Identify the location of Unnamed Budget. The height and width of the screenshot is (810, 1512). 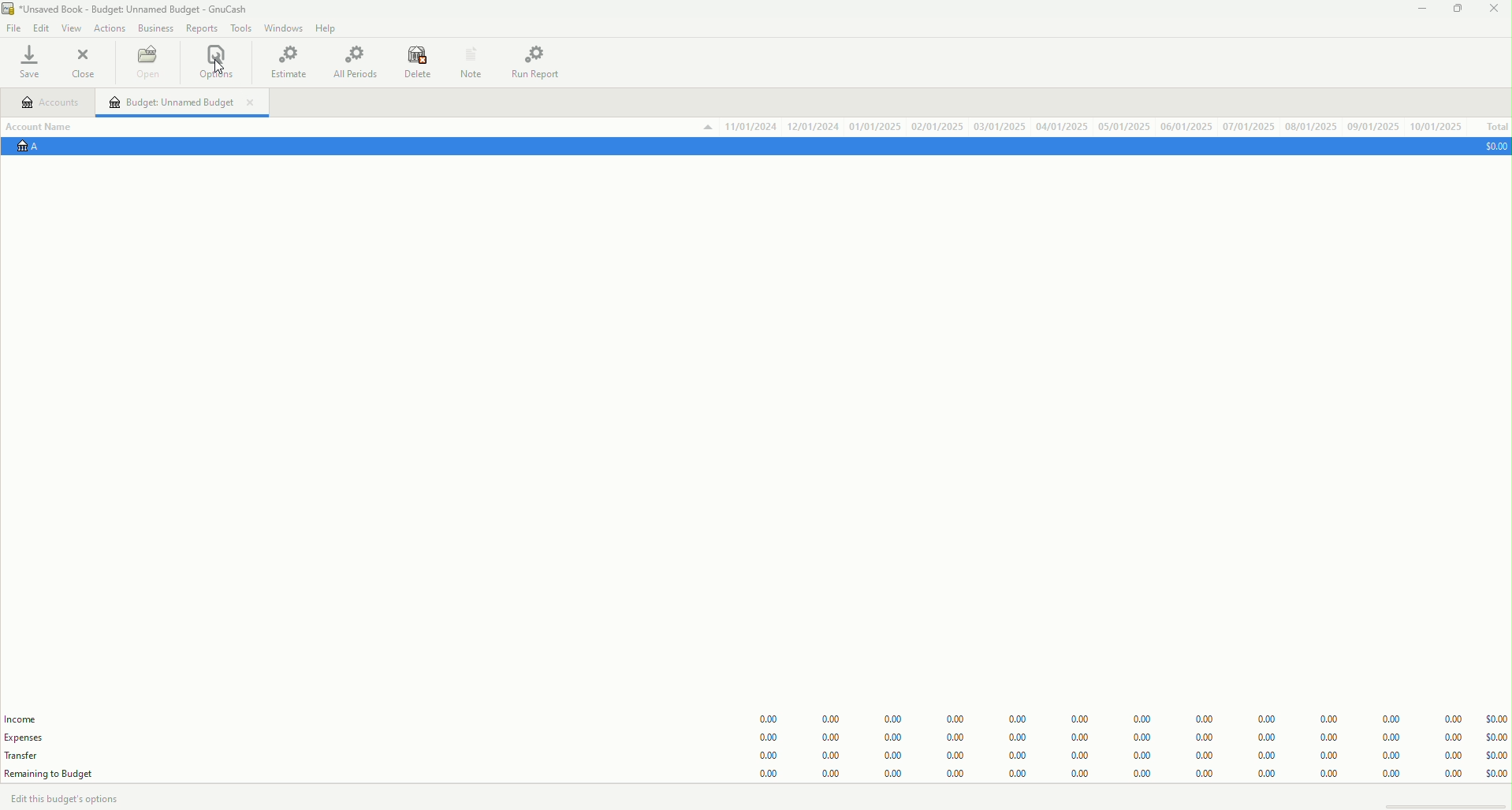
(184, 102).